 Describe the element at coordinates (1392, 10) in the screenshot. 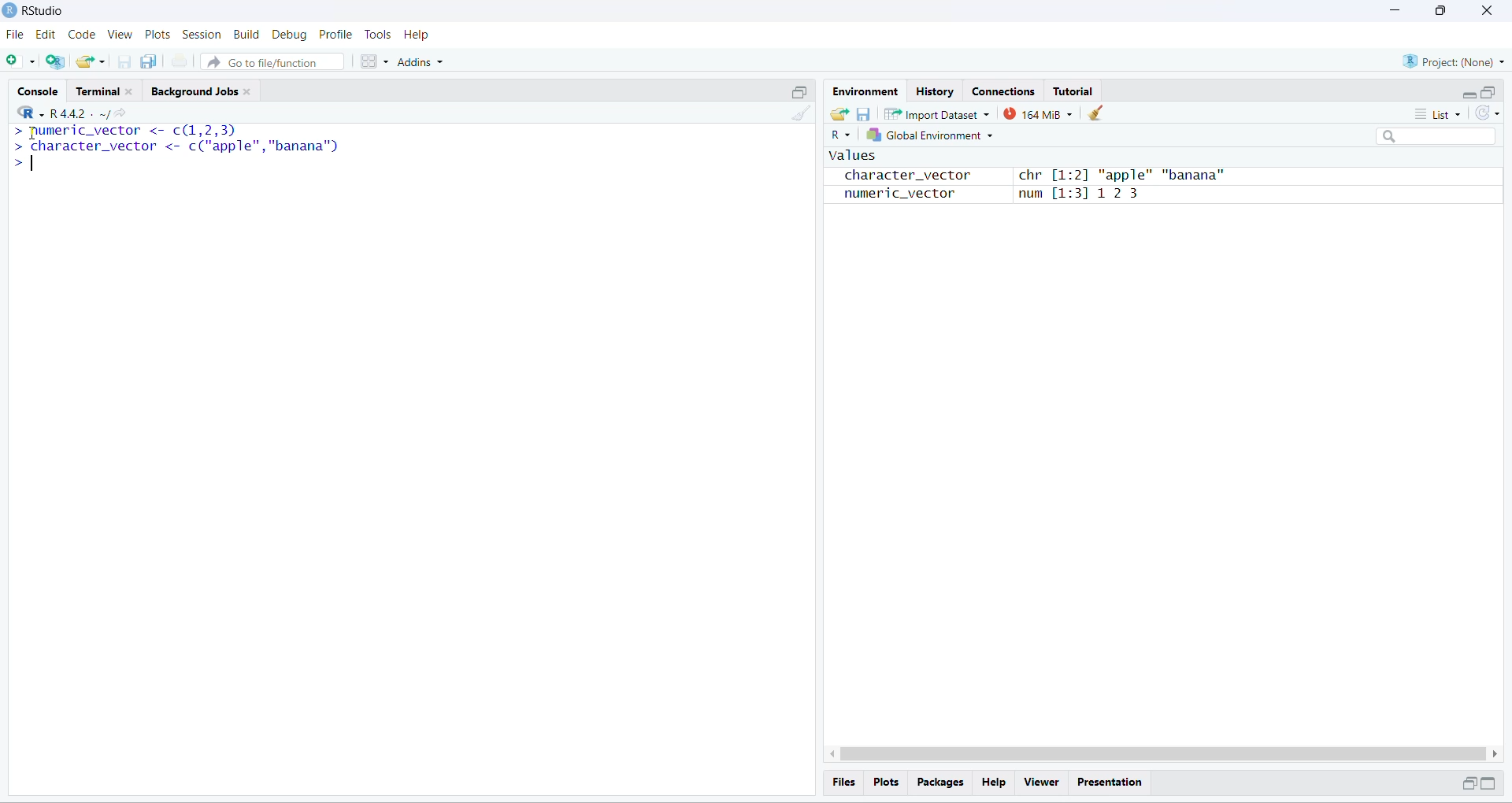

I see `minimize` at that location.